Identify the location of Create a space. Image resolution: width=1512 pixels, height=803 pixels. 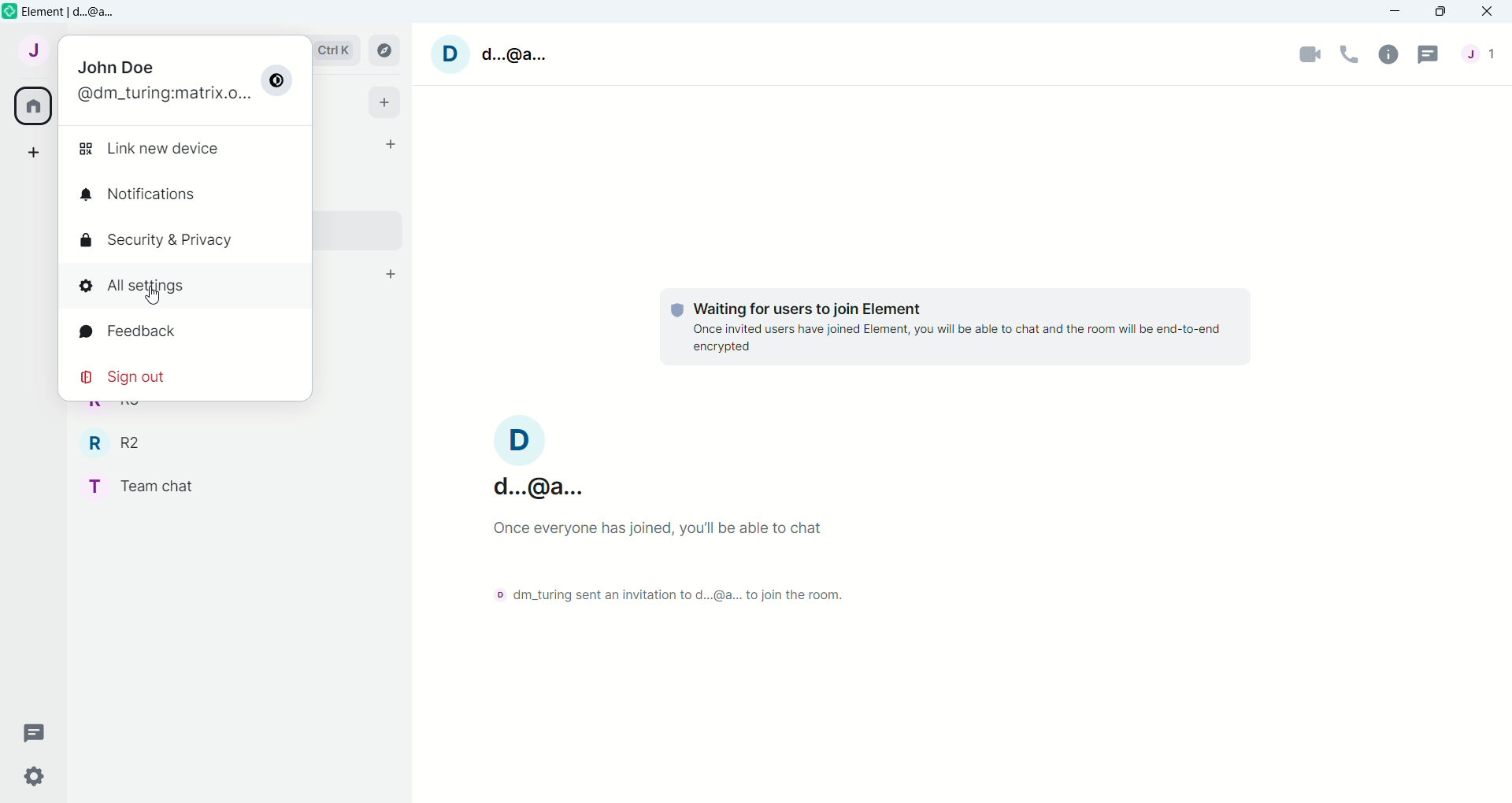
(30, 154).